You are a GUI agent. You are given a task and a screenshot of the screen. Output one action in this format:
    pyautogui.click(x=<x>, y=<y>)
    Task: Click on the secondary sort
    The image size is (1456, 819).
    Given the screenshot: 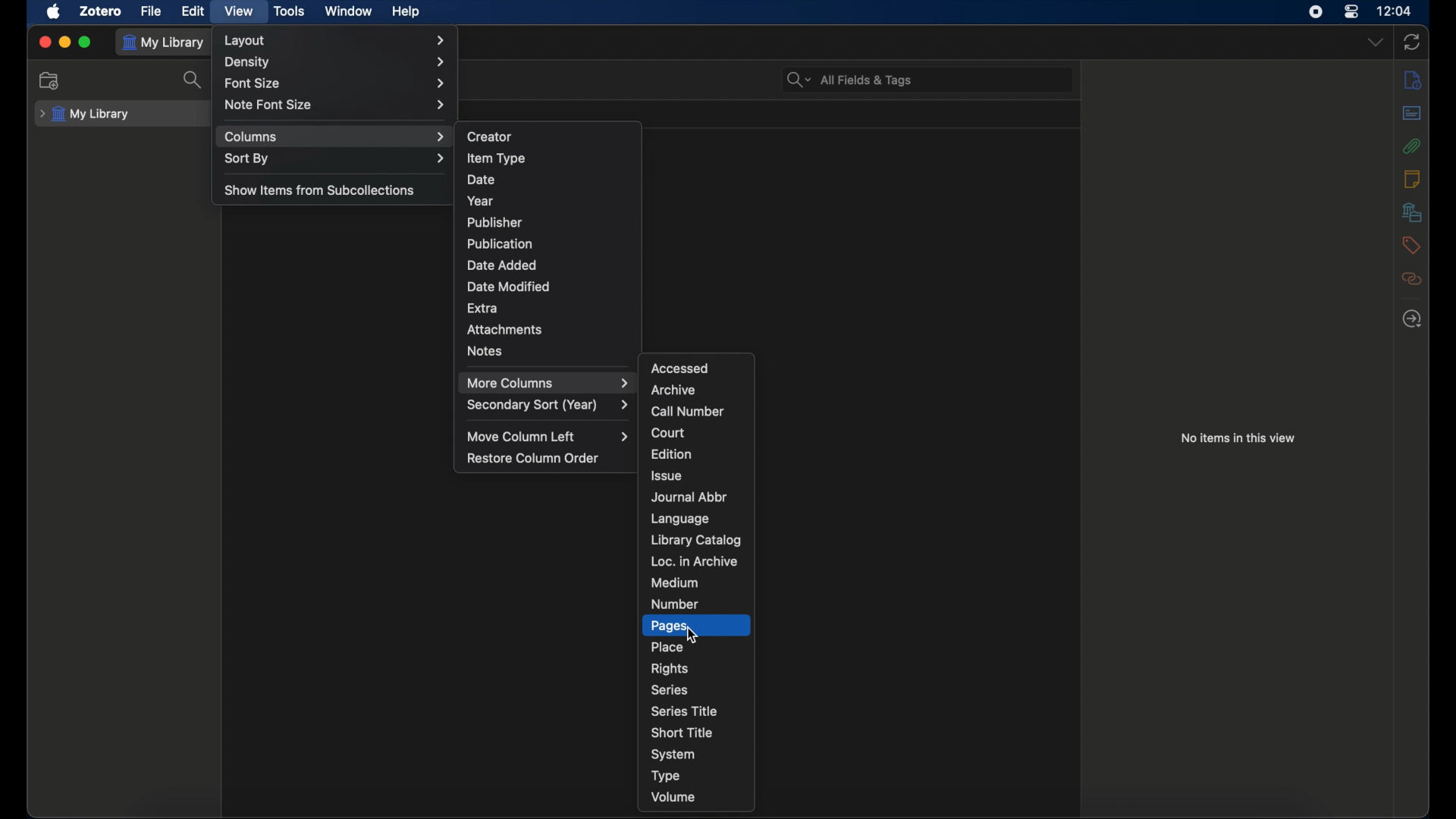 What is the action you would take?
    pyautogui.click(x=549, y=405)
    